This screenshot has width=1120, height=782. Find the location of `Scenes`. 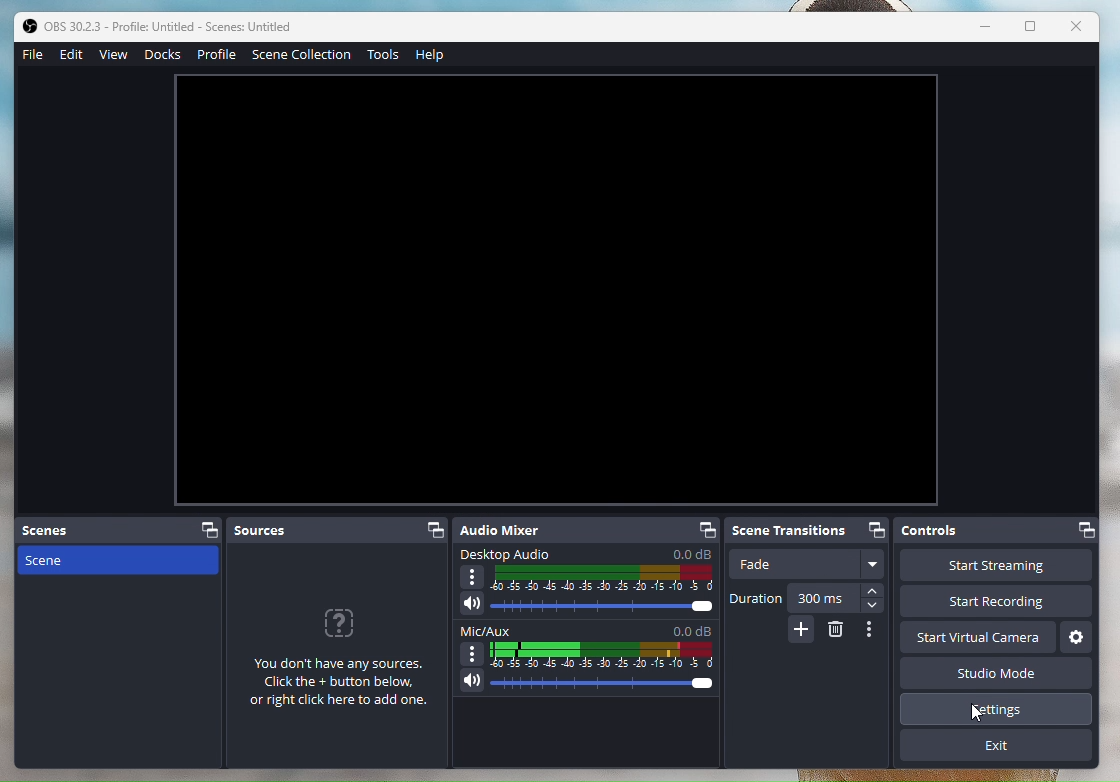

Scenes is located at coordinates (122, 532).